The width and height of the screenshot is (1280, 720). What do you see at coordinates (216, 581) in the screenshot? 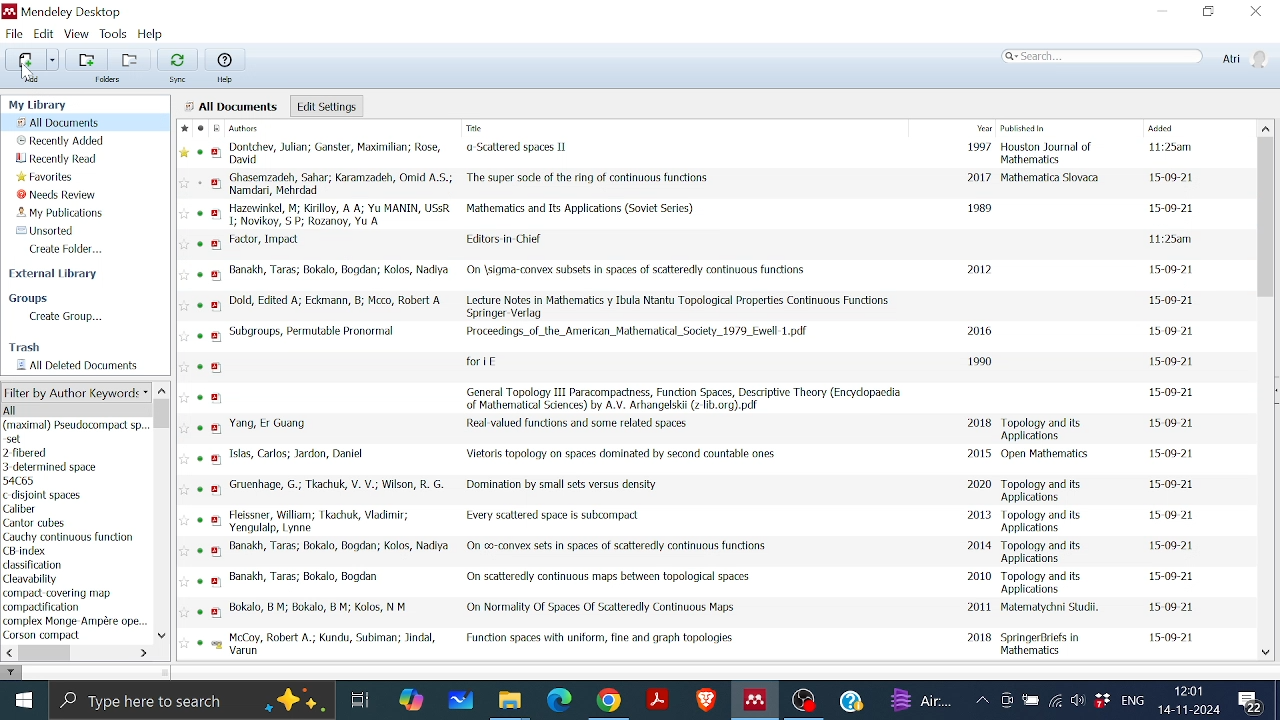
I see `pdf` at bounding box center [216, 581].